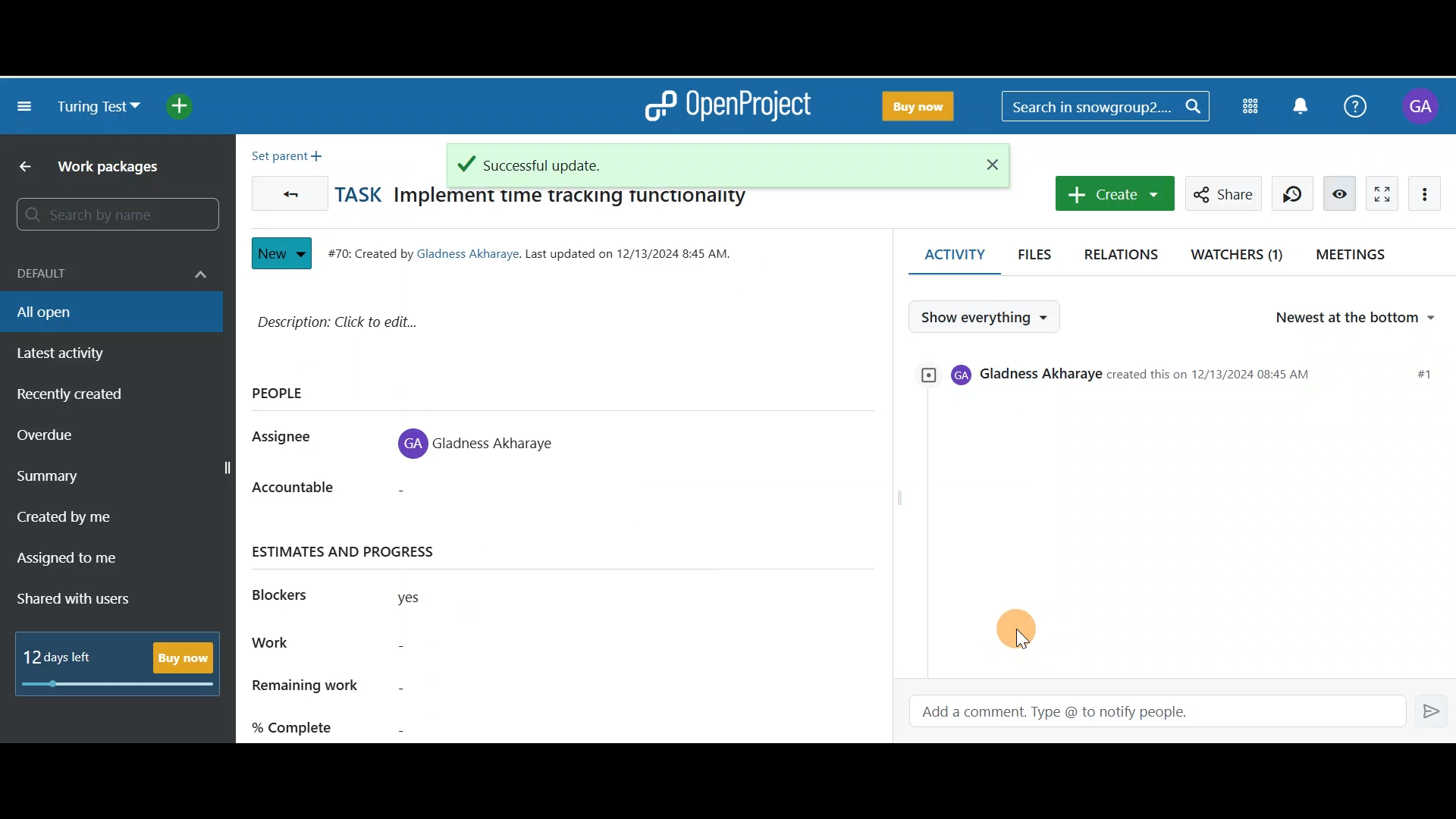 The image size is (1456, 819). What do you see at coordinates (108, 265) in the screenshot?
I see `Default` at bounding box center [108, 265].